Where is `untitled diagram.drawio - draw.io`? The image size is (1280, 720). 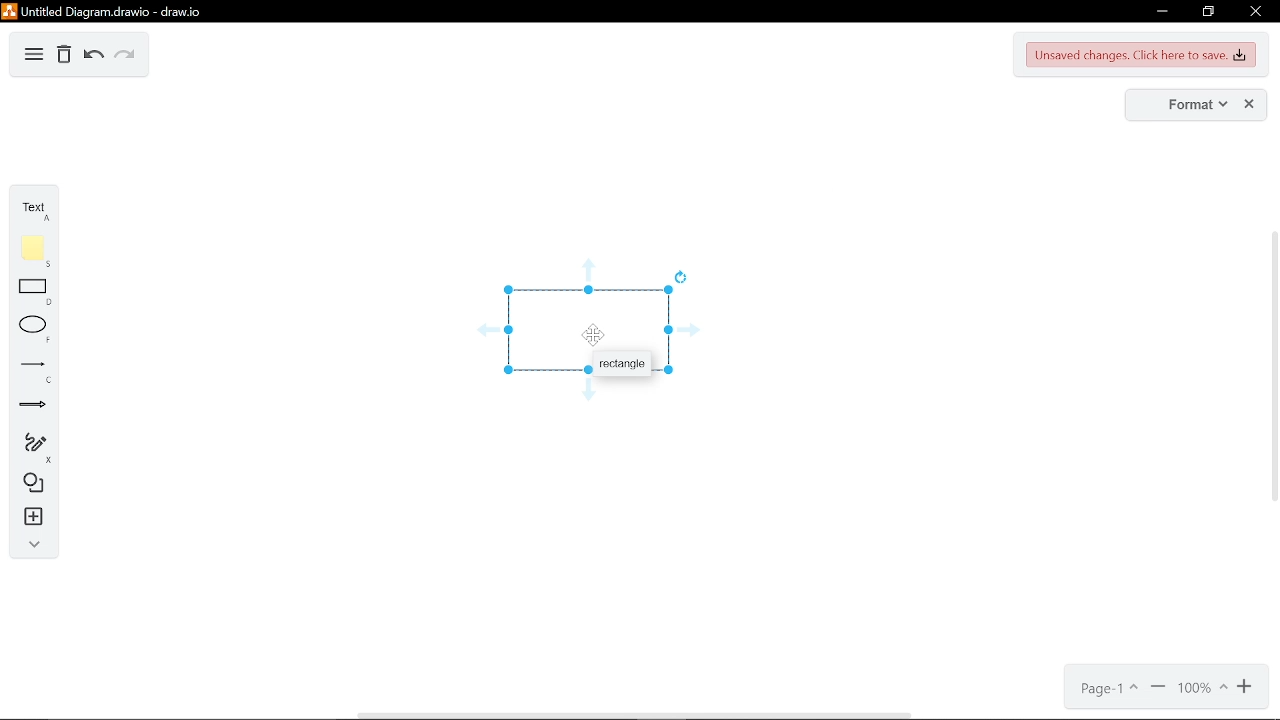 untitled diagram.drawio - draw.io is located at coordinates (118, 11).